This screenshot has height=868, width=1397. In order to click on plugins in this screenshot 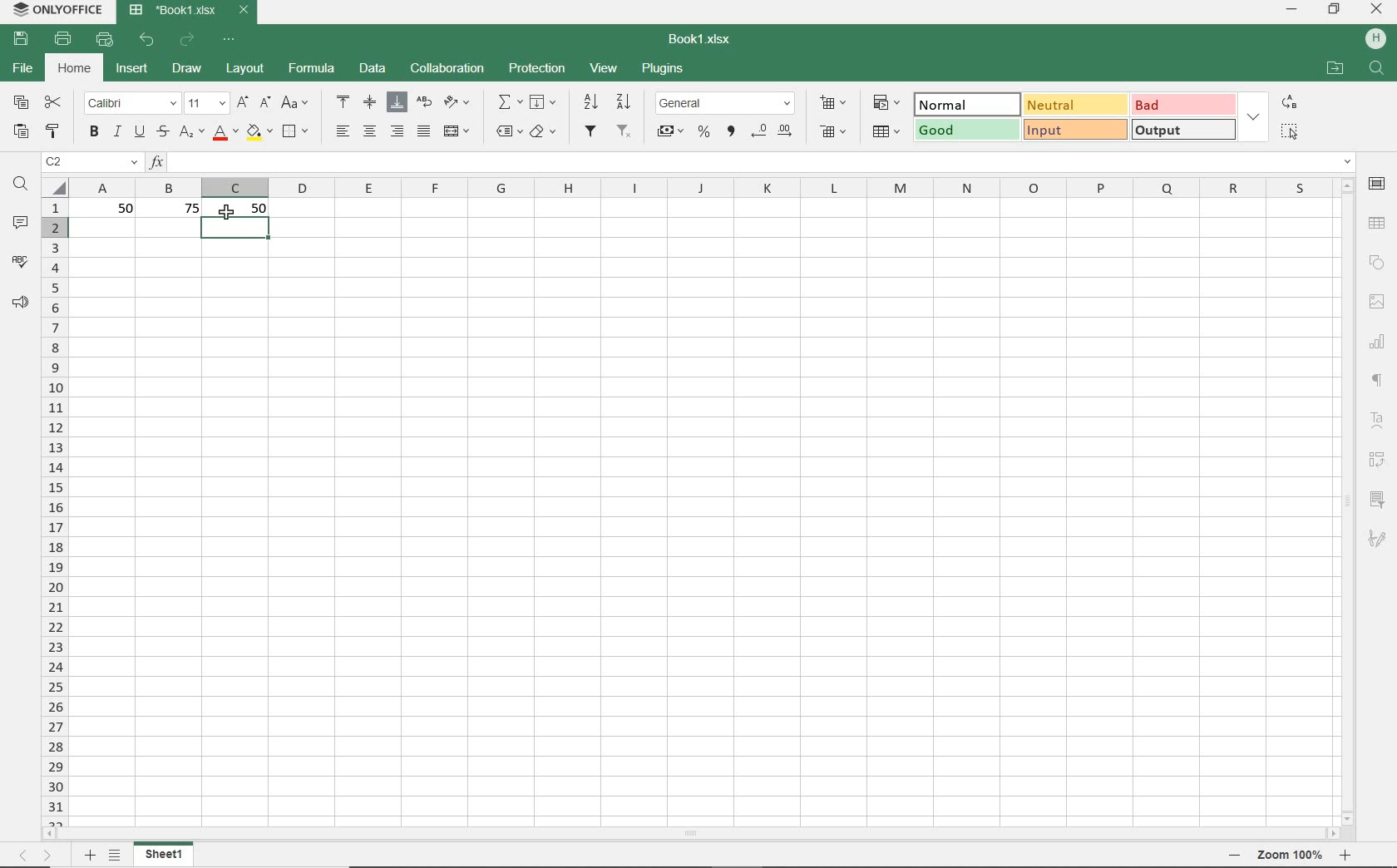, I will do `click(660, 67)`.